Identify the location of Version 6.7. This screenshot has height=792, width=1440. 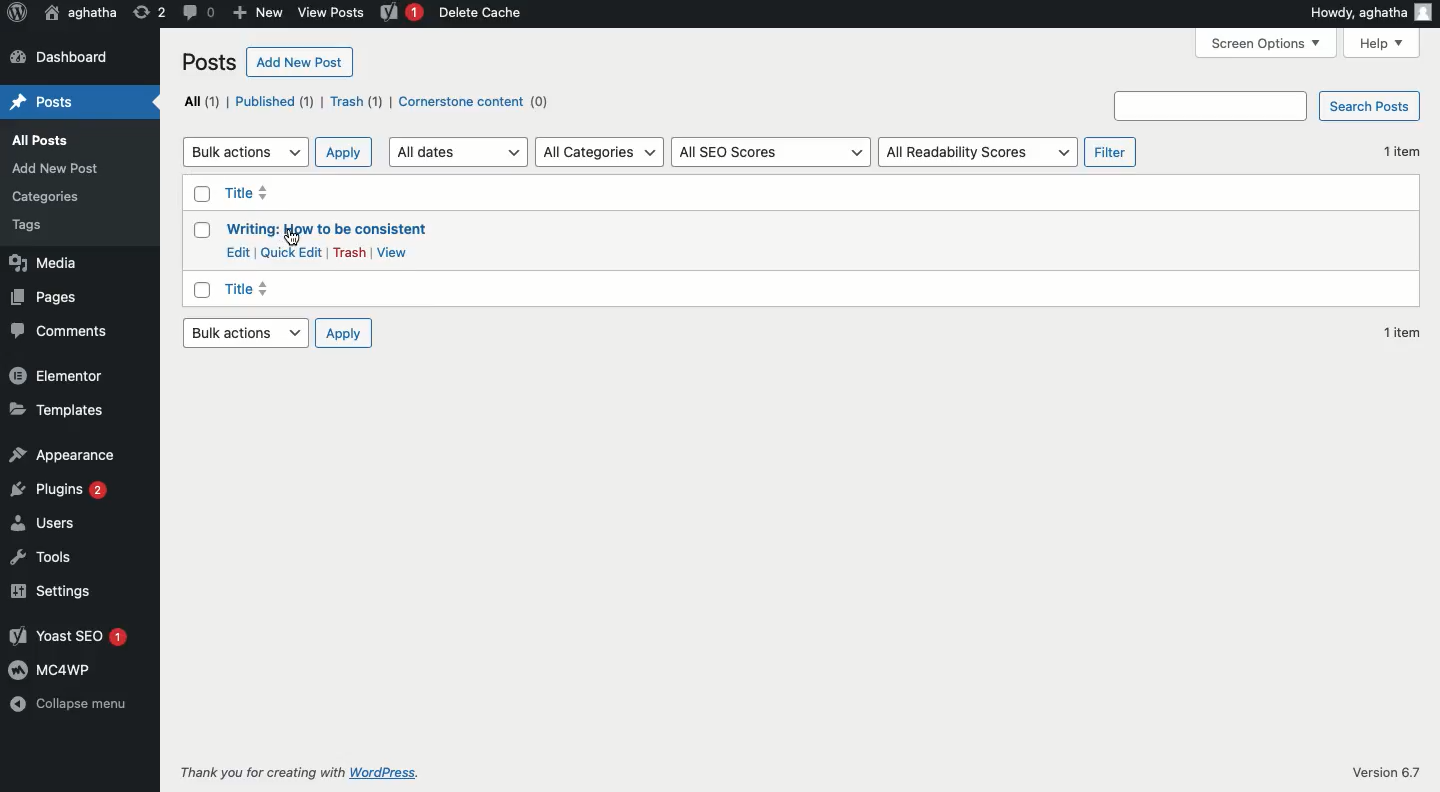
(1378, 773).